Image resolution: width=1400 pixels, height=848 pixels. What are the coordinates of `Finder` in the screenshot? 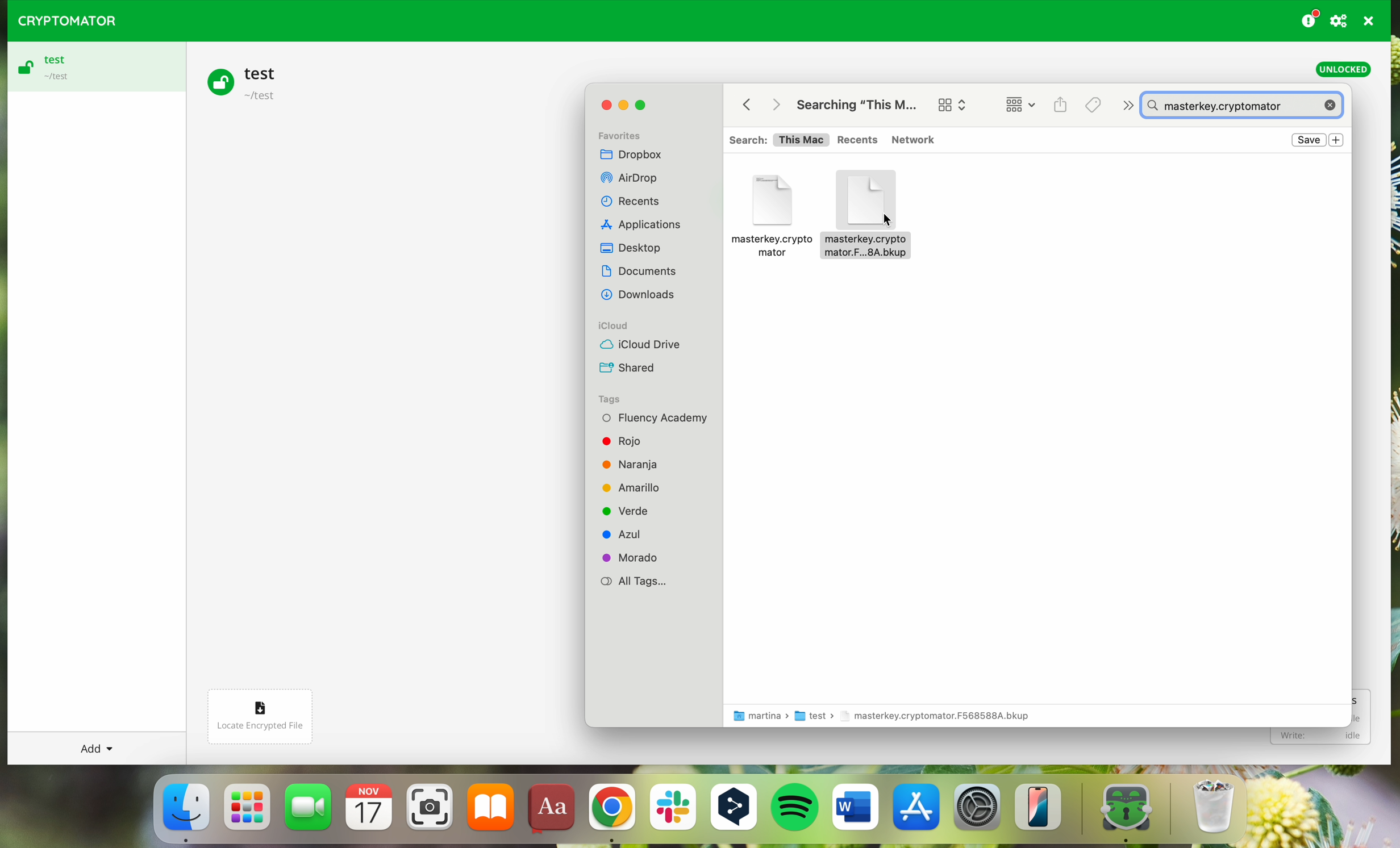 It's located at (185, 812).